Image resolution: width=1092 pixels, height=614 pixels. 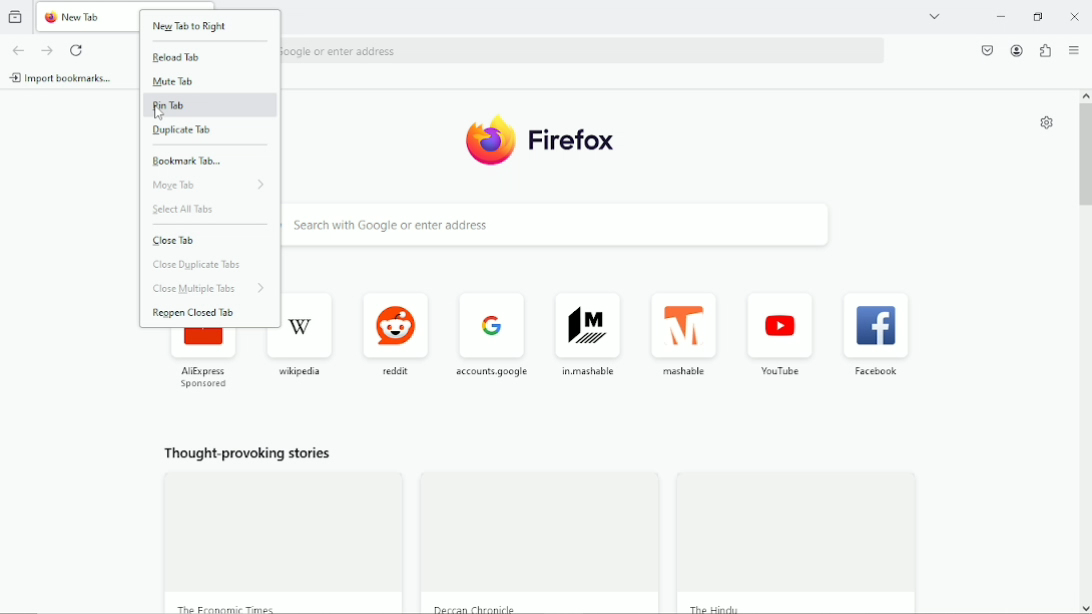 What do you see at coordinates (1016, 51) in the screenshot?
I see `Account` at bounding box center [1016, 51].